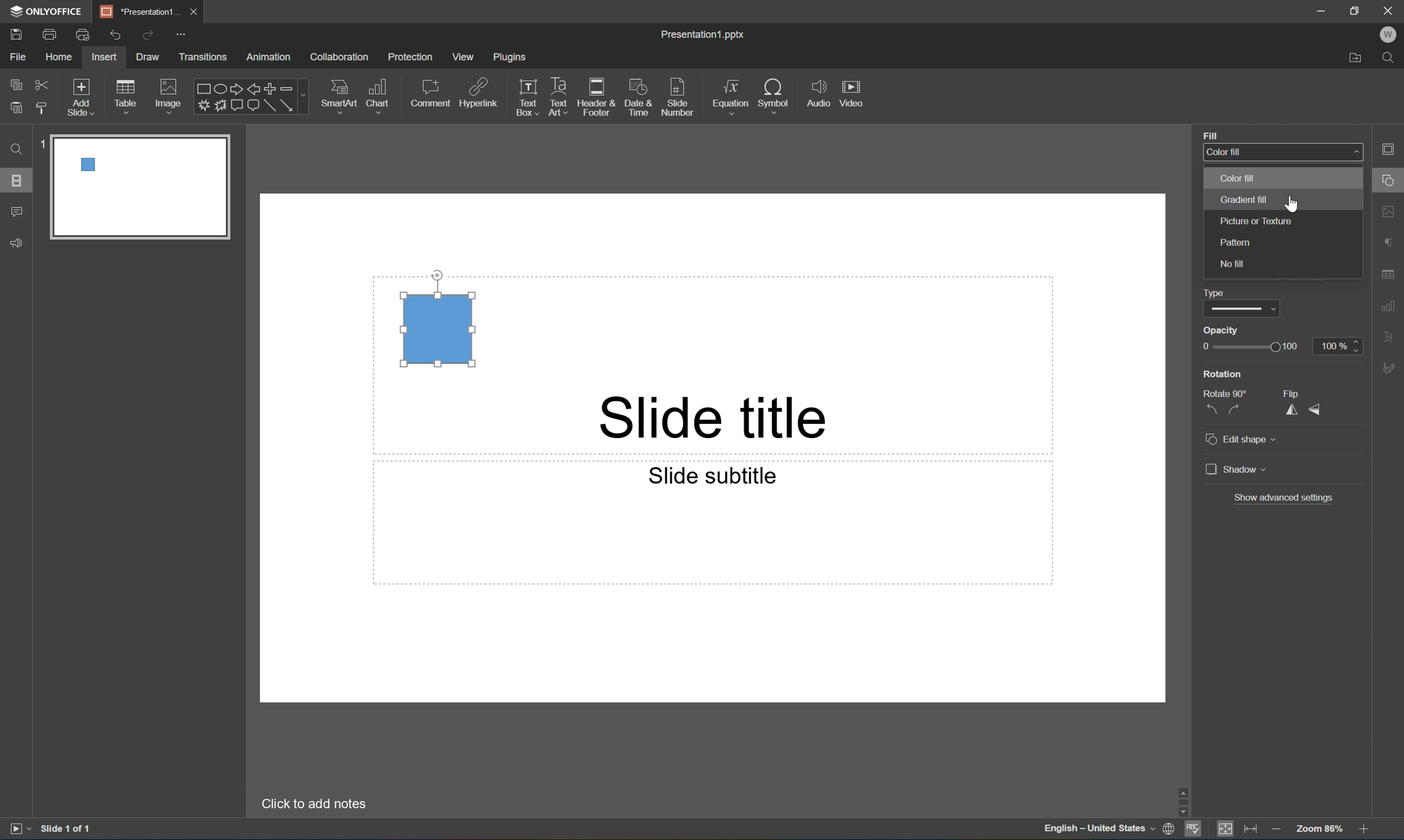 The width and height of the screenshot is (1404, 840). What do you see at coordinates (1227, 393) in the screenshot?
I see `Rotate 90°` at bounding box center [1227, 393].